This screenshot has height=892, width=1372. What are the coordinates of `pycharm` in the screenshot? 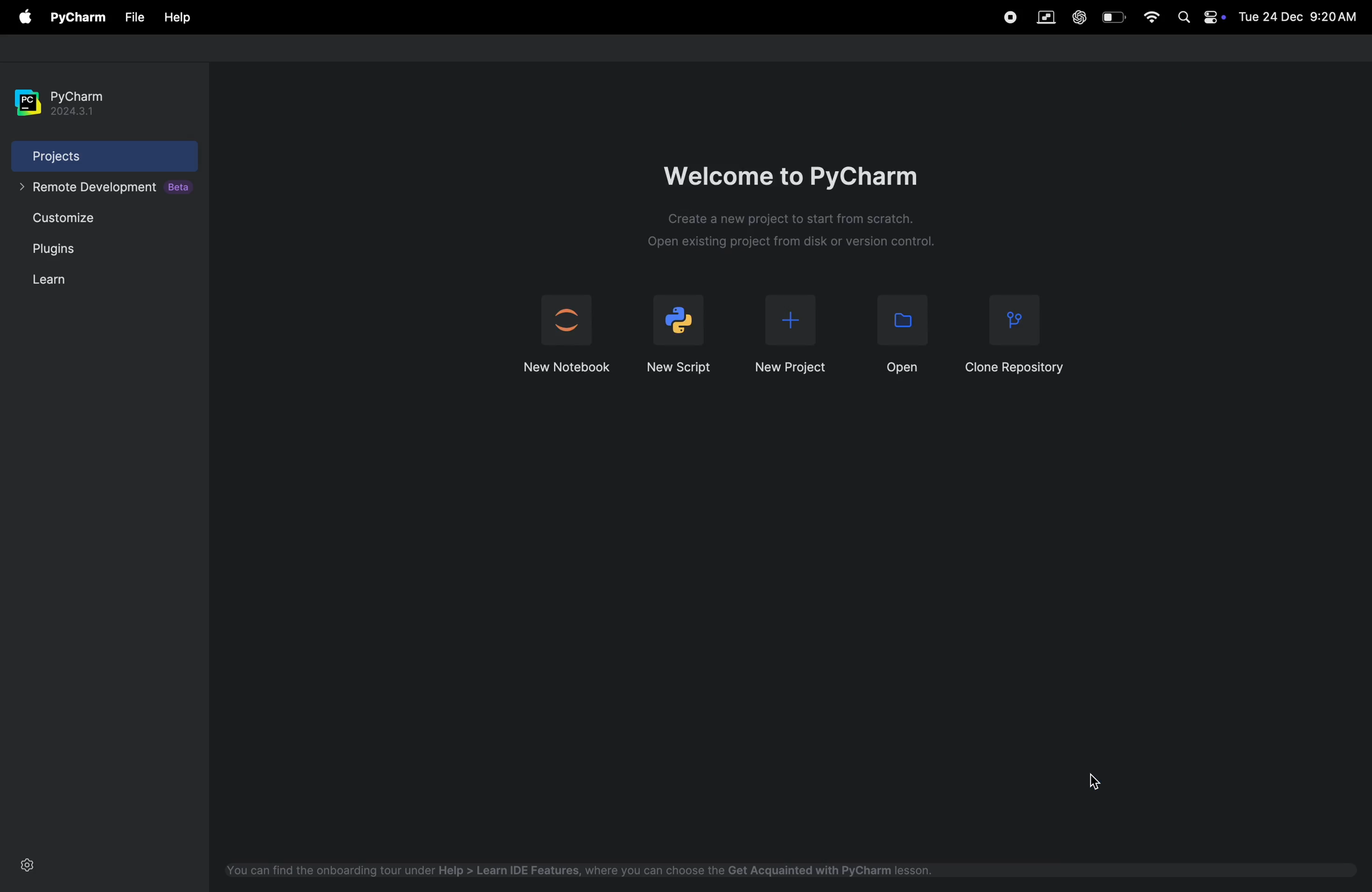 It's located at (81, 18).